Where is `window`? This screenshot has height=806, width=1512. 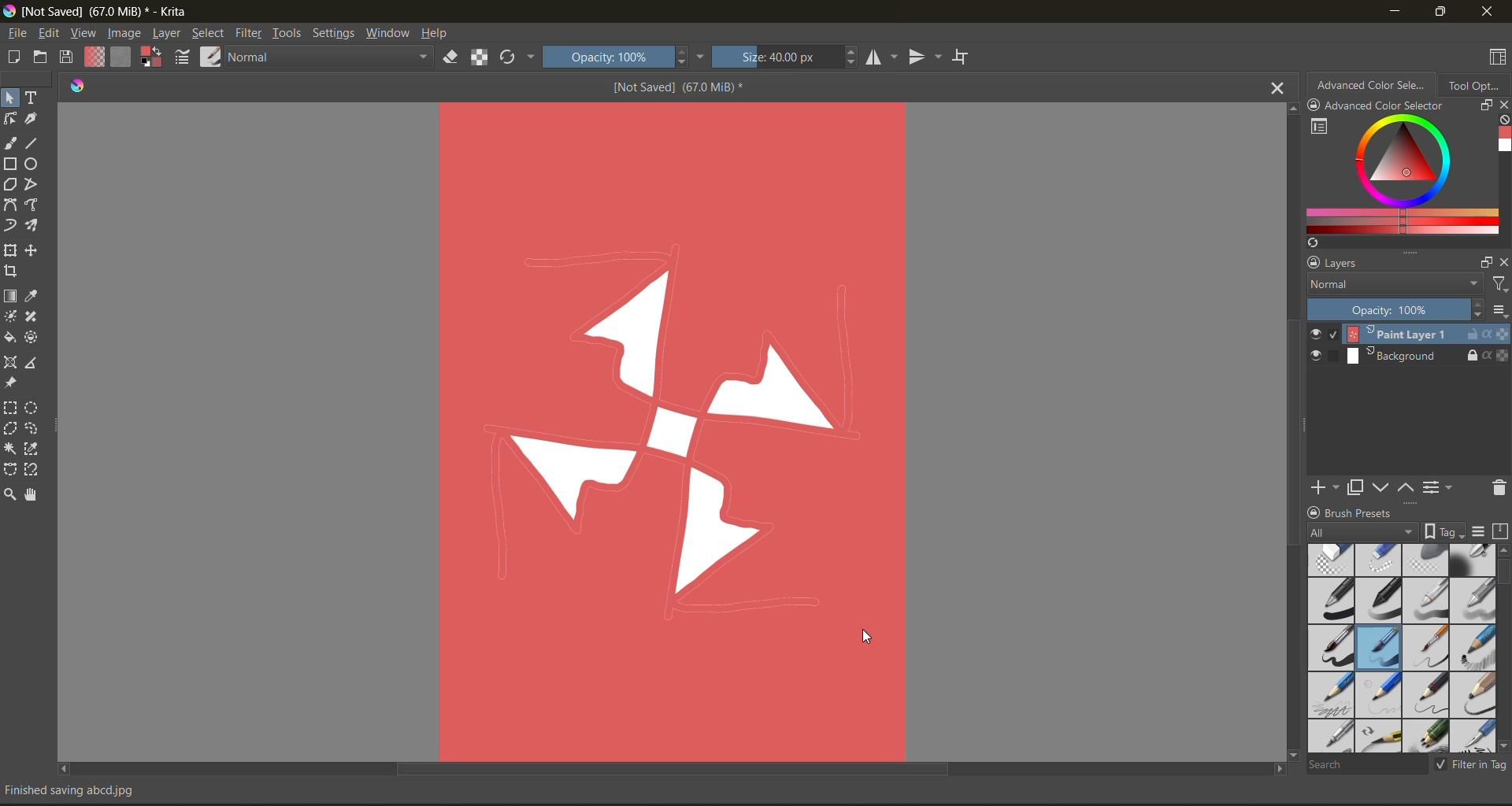 window is located at coordinates (390, 34).